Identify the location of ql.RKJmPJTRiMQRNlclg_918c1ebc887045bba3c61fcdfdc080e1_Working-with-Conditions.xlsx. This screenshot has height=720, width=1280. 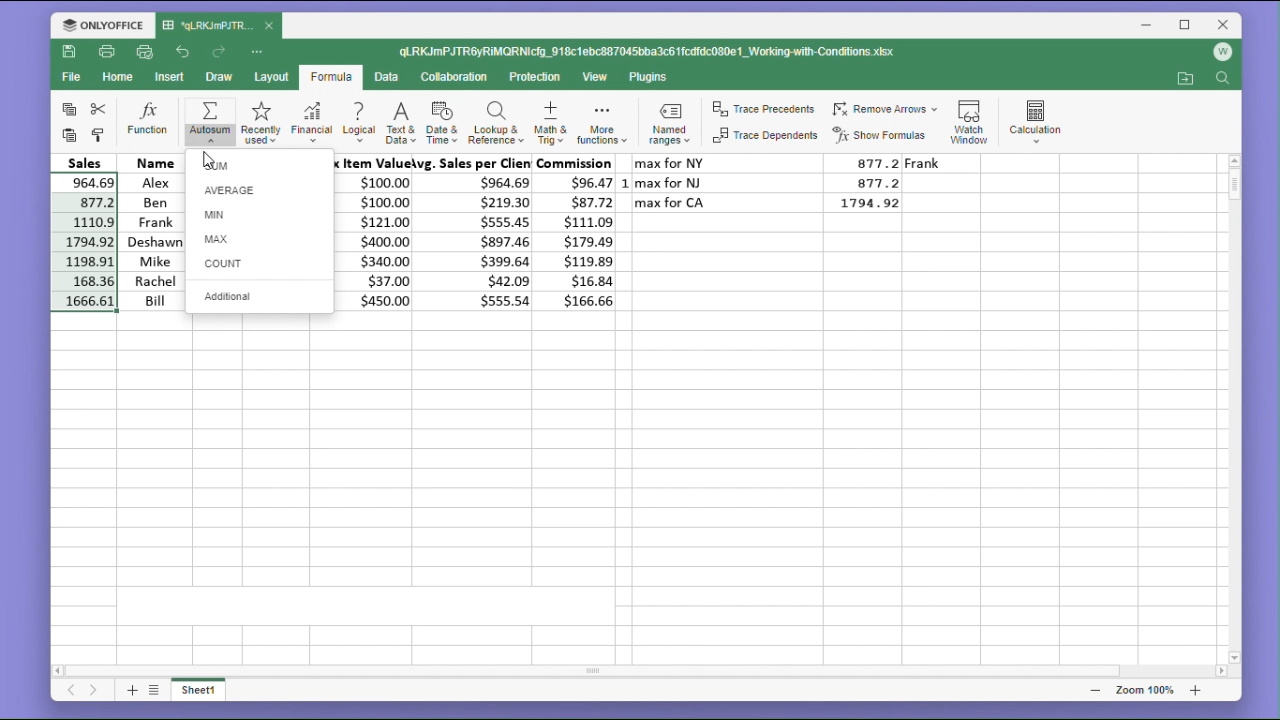
(668, 52).